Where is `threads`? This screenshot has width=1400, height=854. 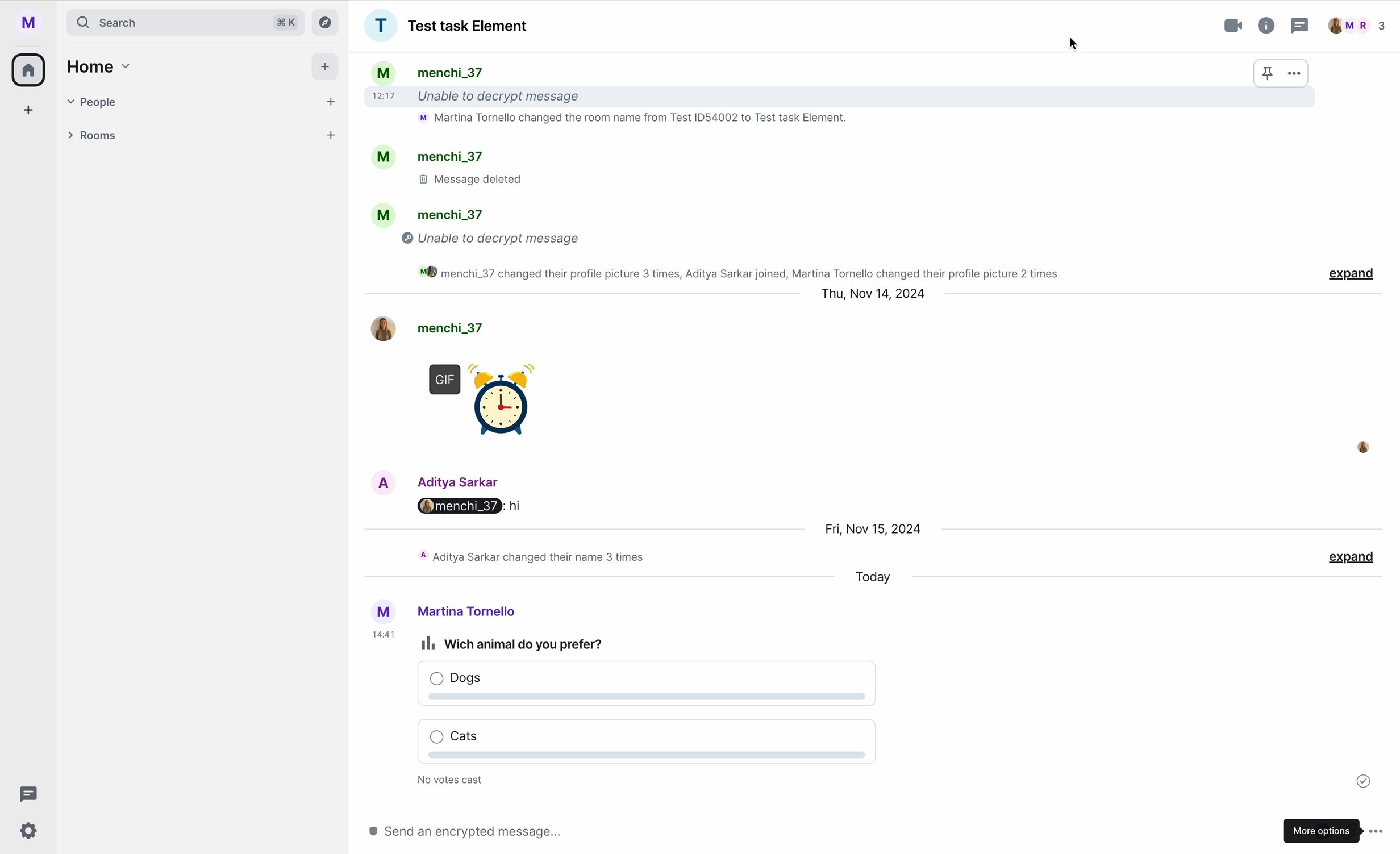
threads is located at coordinates (1298, 27).